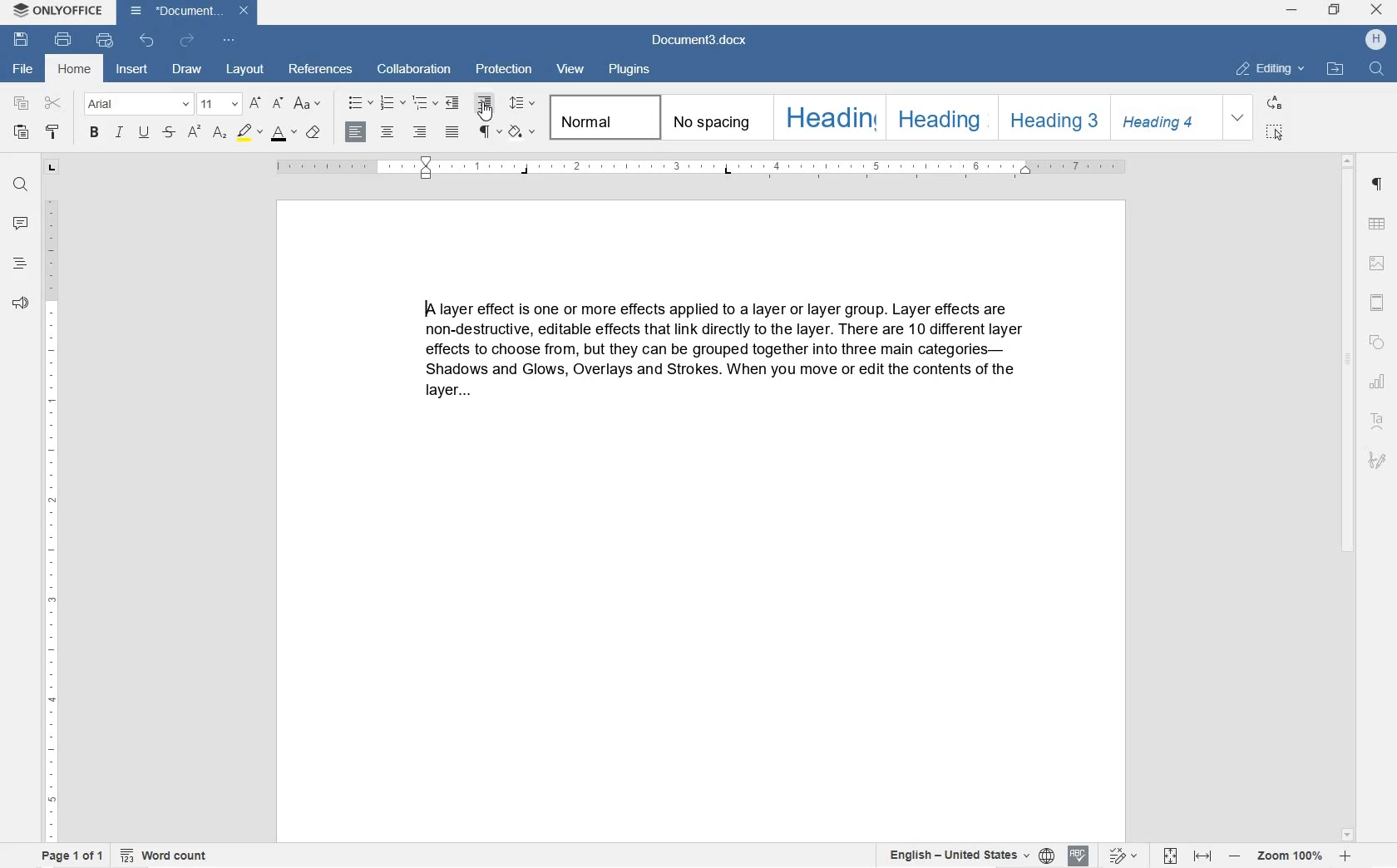 The width and height of the screenshot is (1397, 868). What do you see at coordinates (219, 137) in the screenshot?
I see `SUPERSCRIPT` at bounding box center [219, 137].